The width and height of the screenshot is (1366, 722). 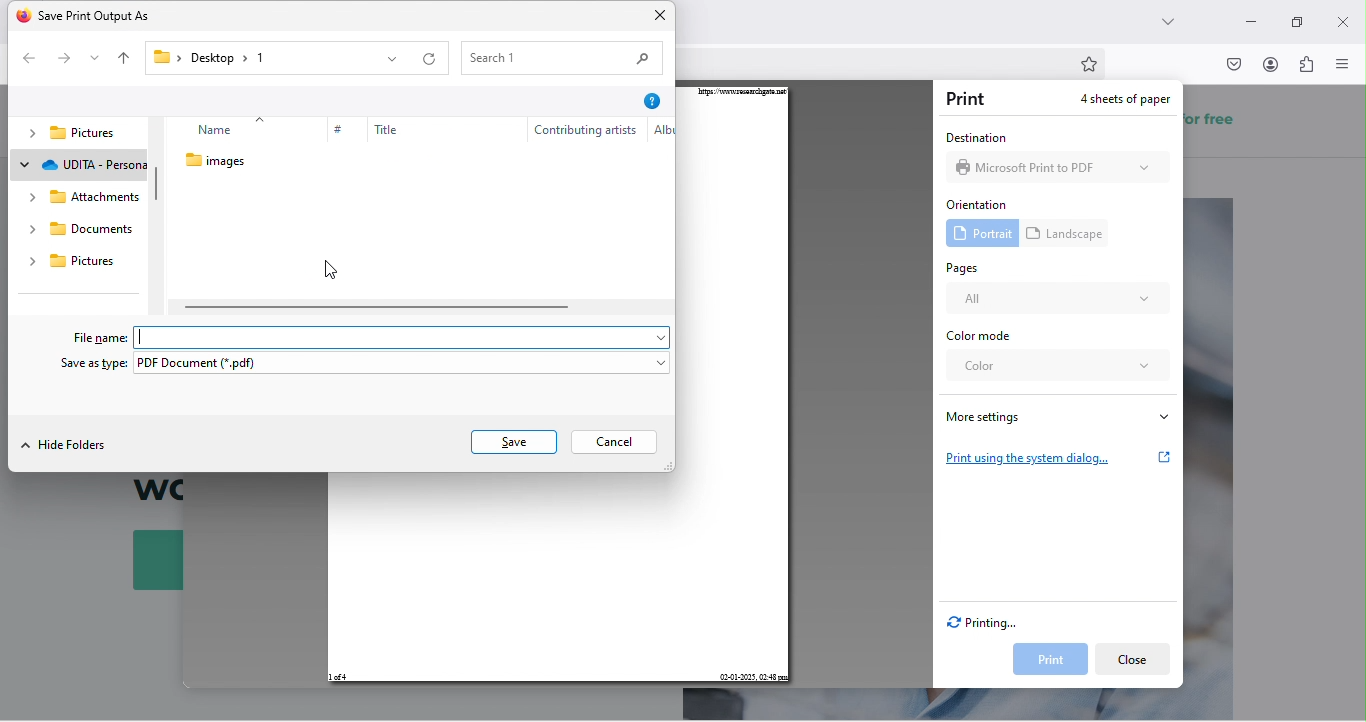 What do you see at coordinates (433, 61) in the screenshot?
I see `refresh` at bounding box center [433, 61].